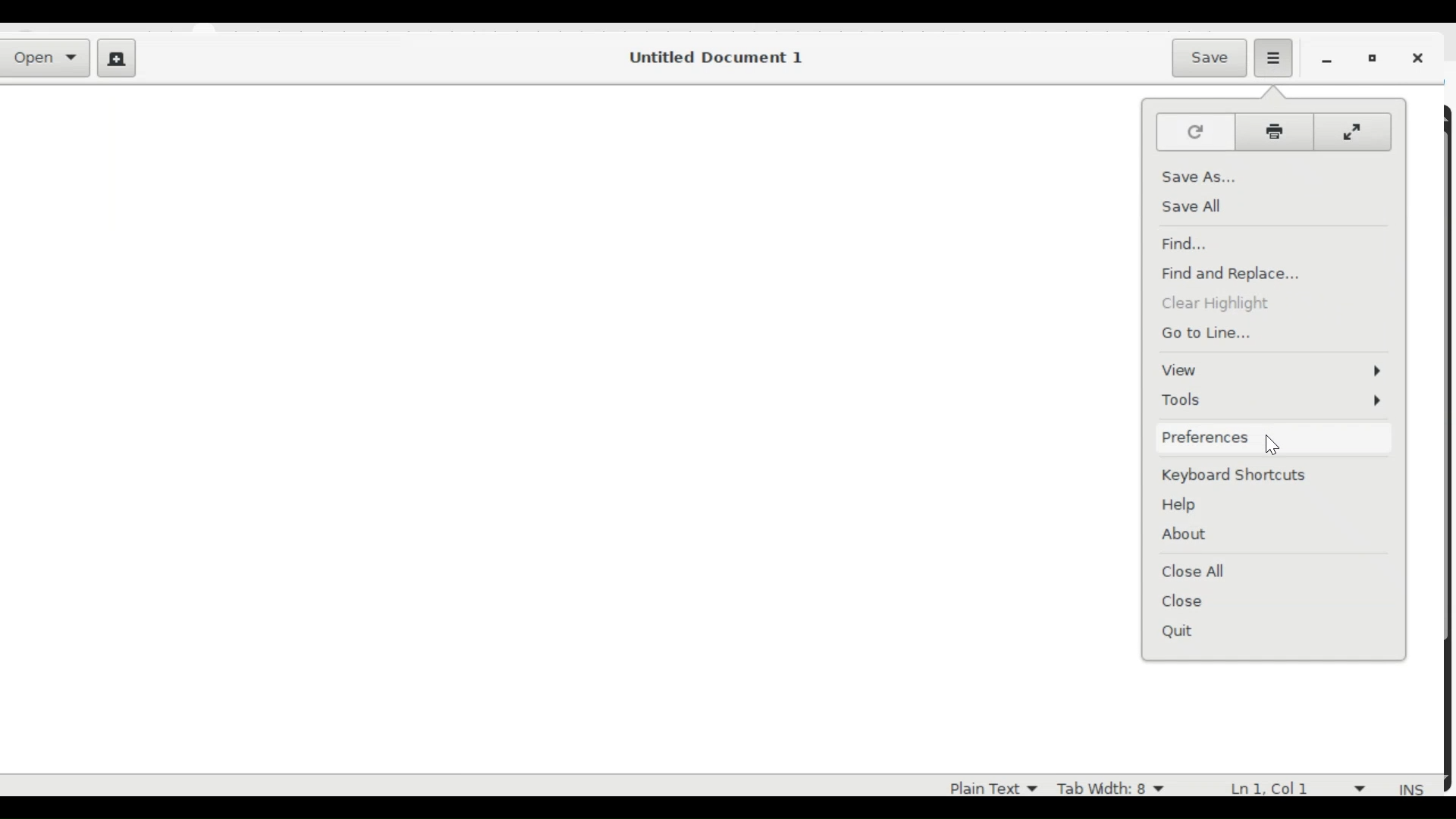 This screenshot has height=819, width=1456. What do you see at coordinates (1186, 535) in the screenshot?
I see `About` at bounding box center [1186, 535].